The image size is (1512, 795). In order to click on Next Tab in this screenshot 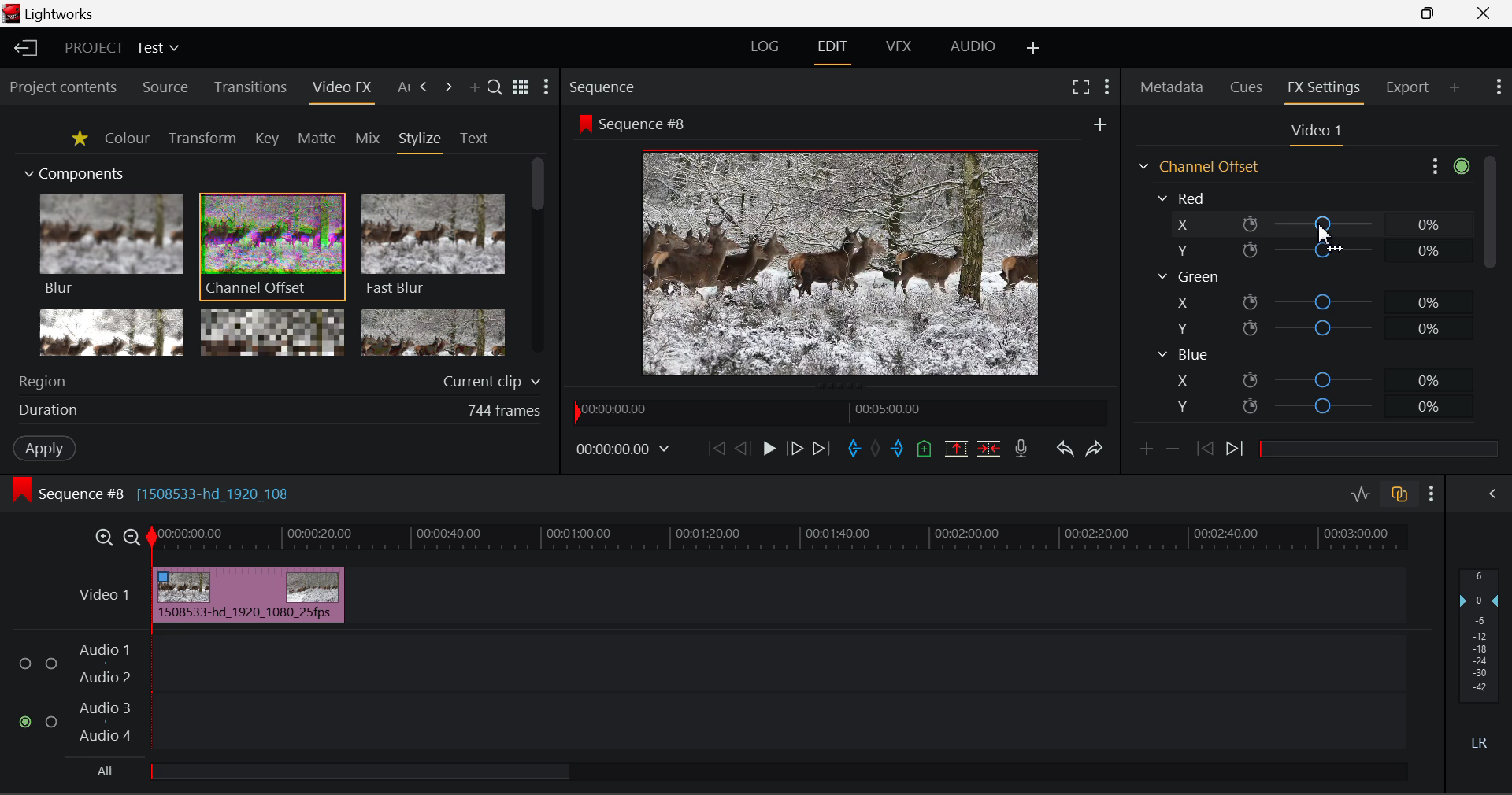, I will do `click(425, 87)`.